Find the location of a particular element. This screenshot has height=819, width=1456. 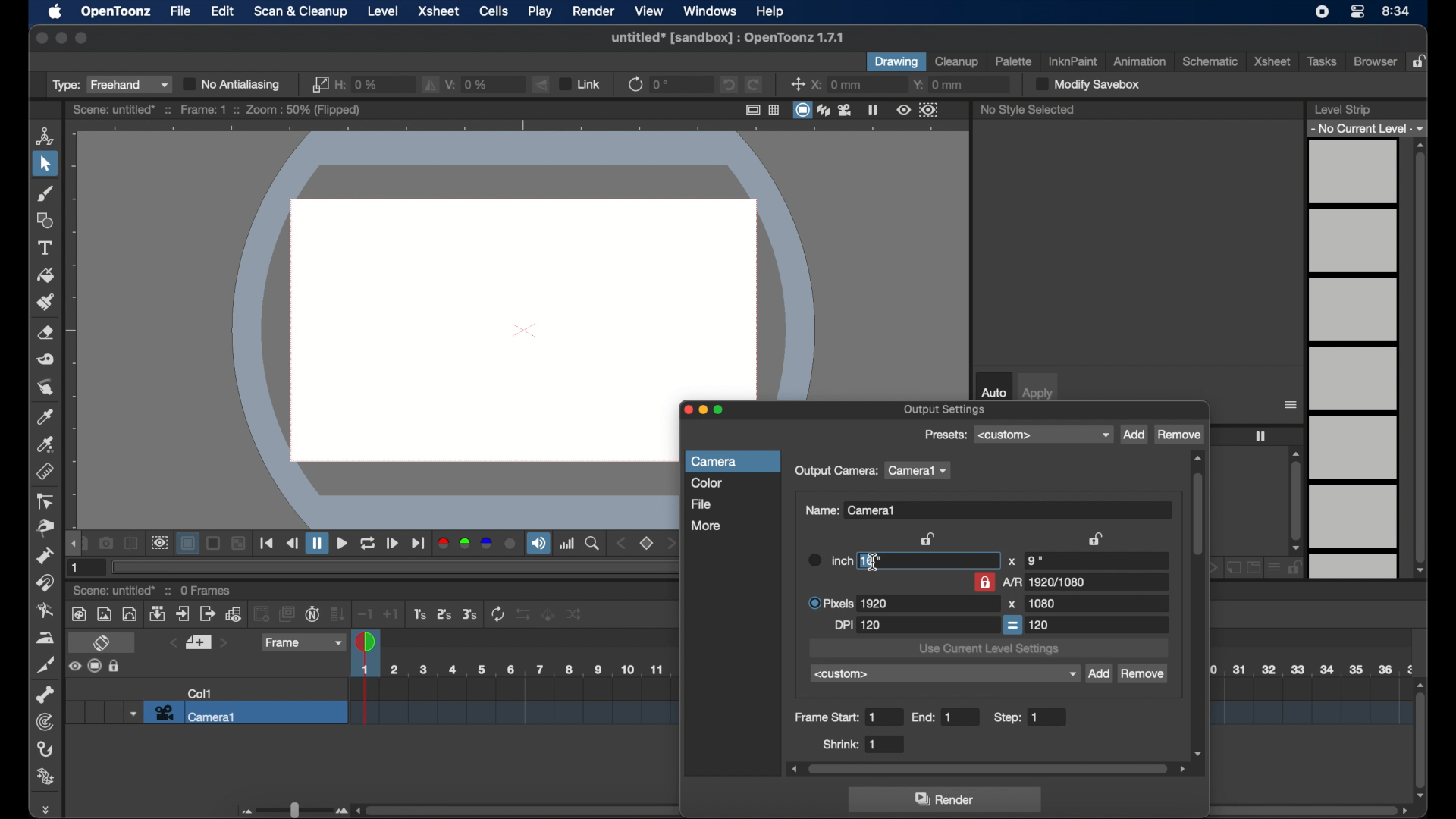

no current level is located at coordinates (1369, 127).